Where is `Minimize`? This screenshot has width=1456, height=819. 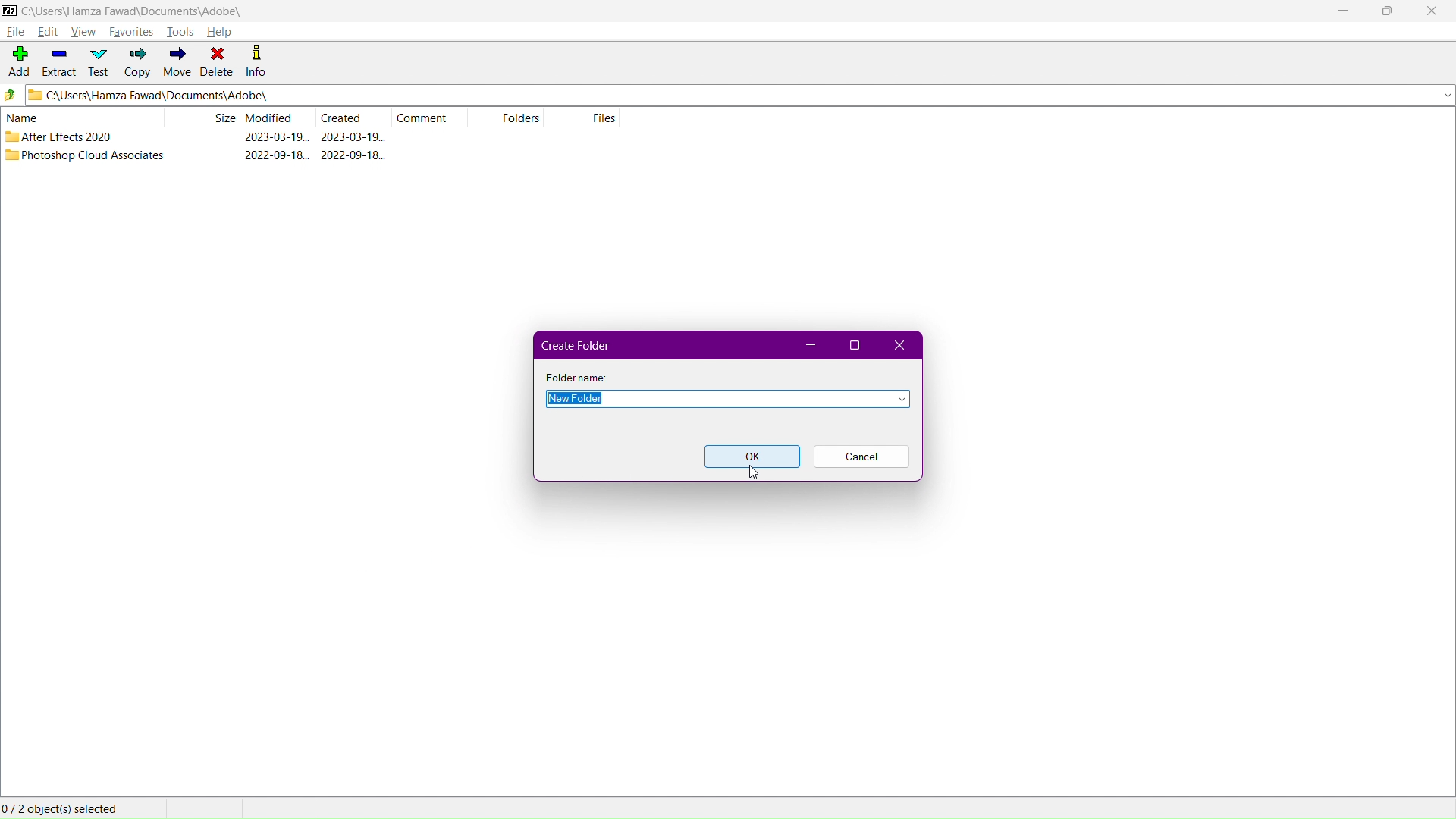 Minimize is located at coordinates (806, 345).